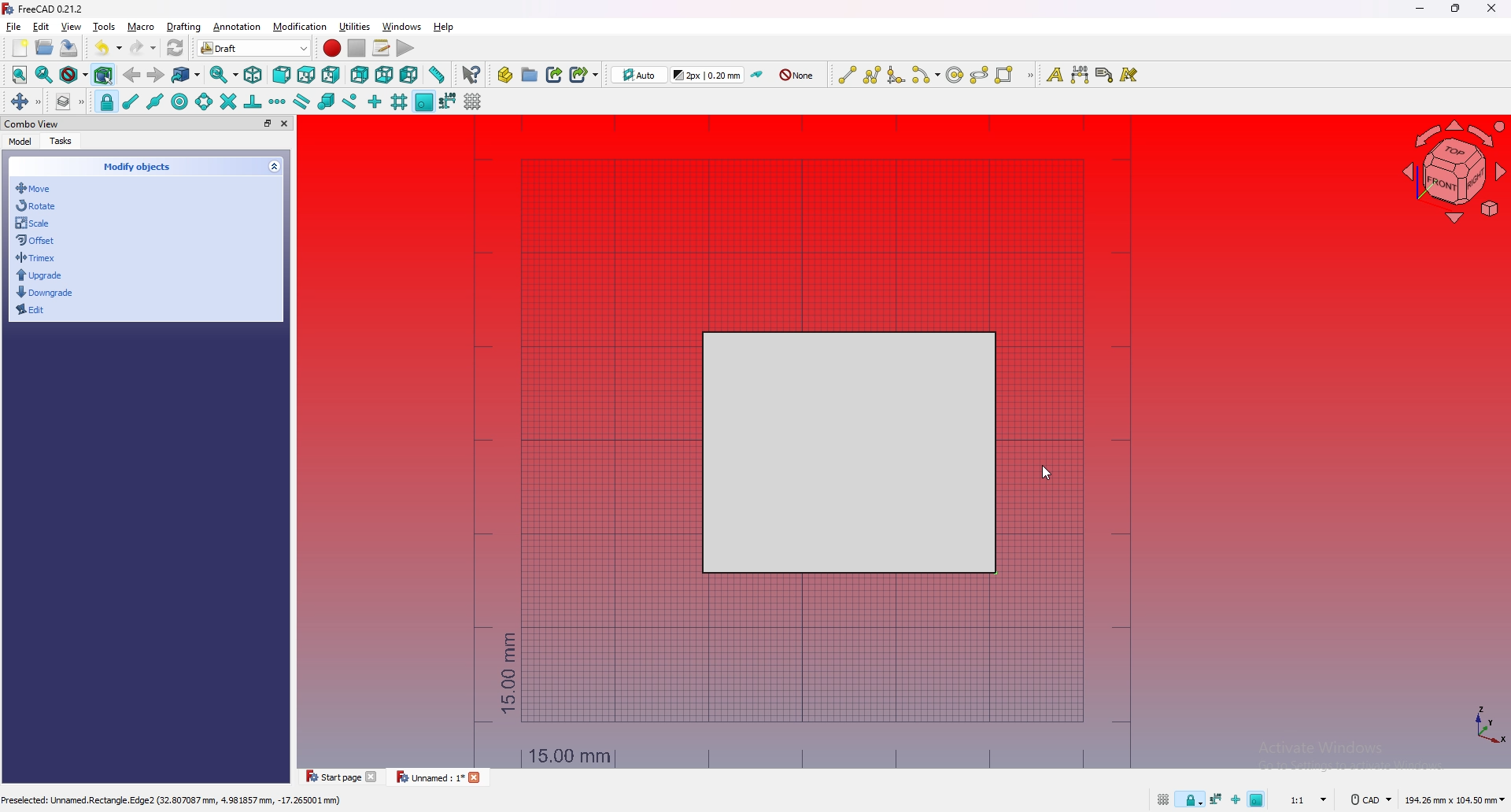  What do you see at coordinates (471, 75) in the screenshot?
I see `whats this` at bounding box center [471, 75].